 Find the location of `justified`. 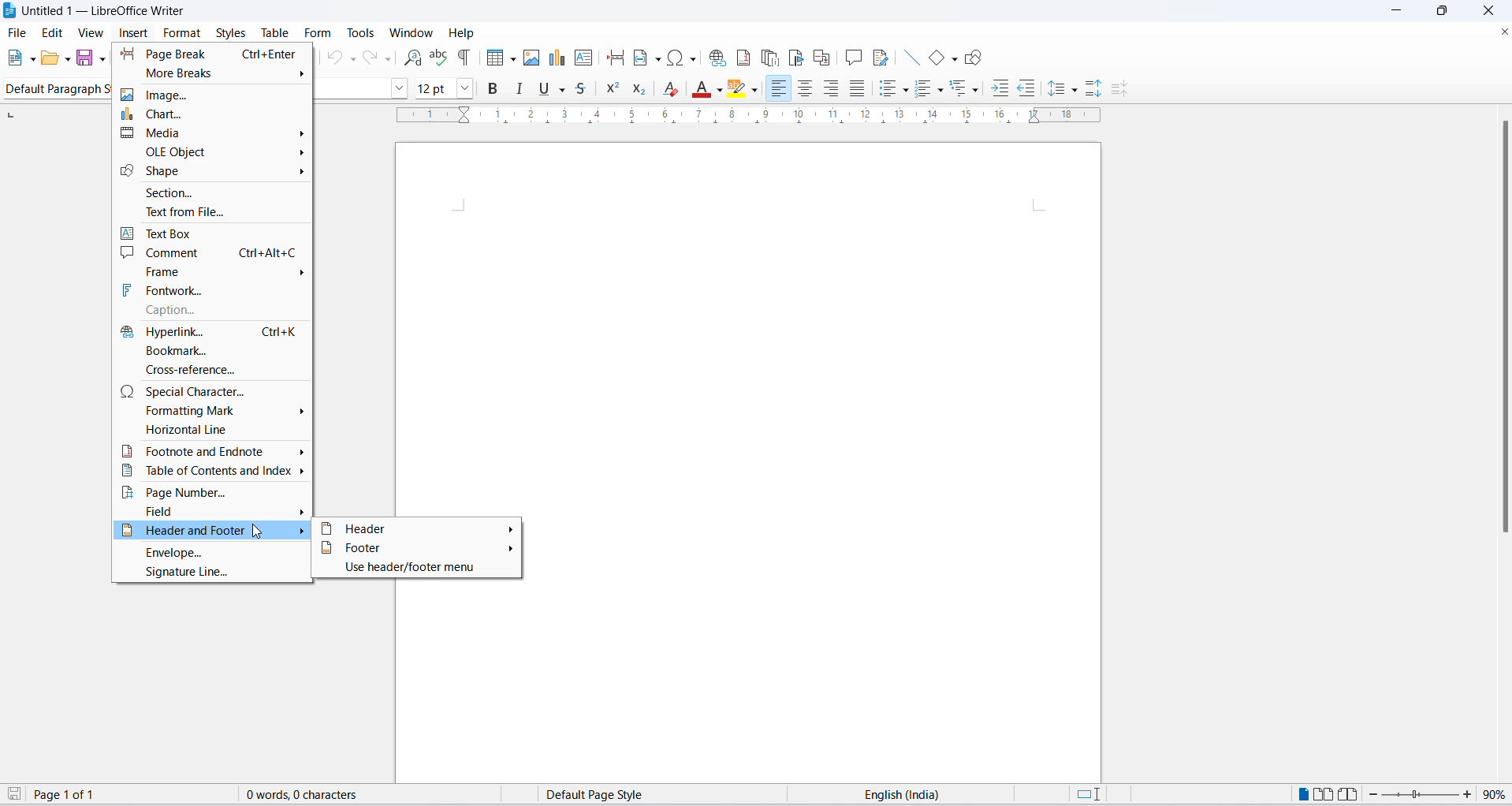

justified is located at coordinates (855, 89).